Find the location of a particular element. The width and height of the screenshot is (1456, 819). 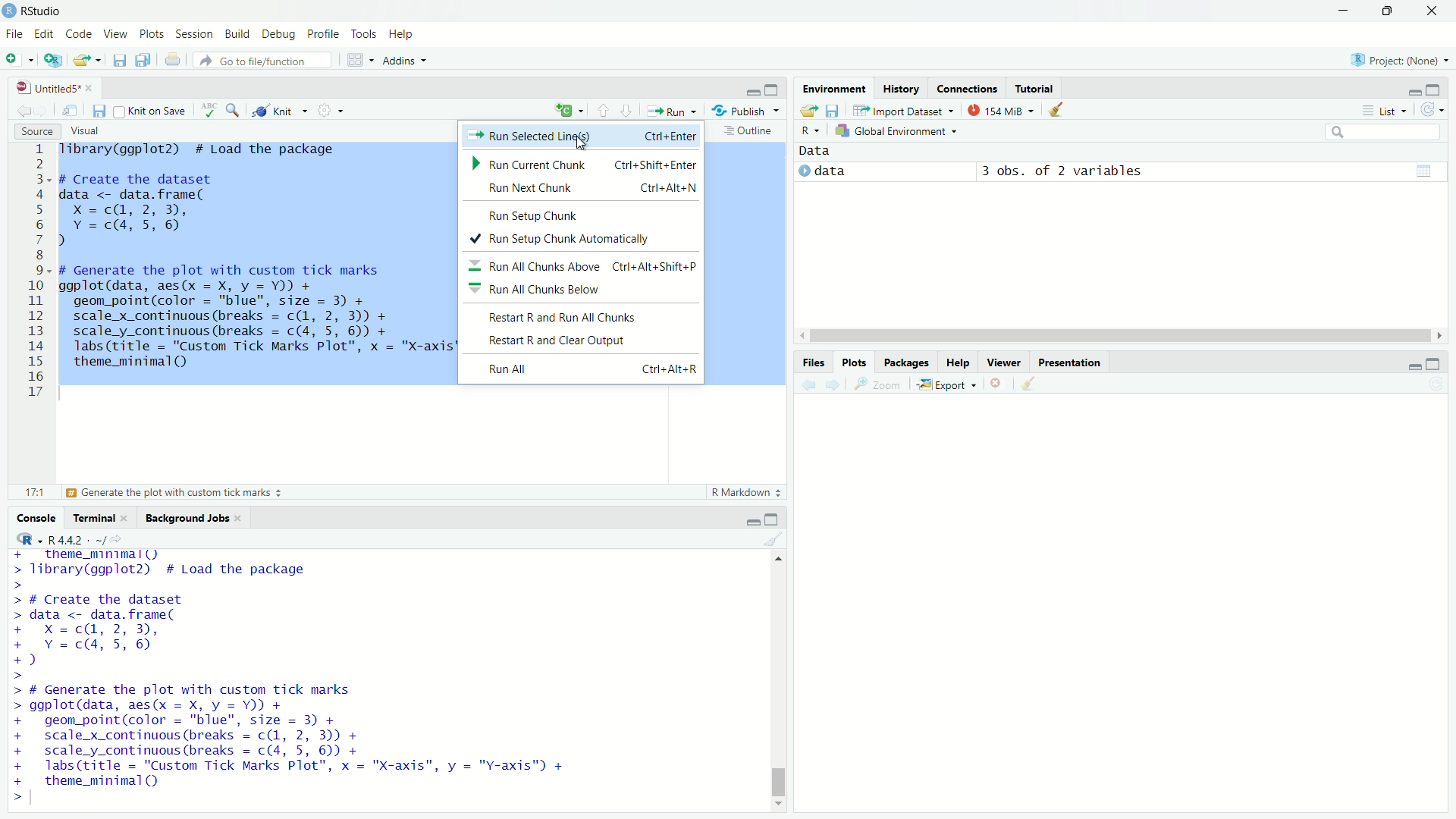

import dataset is located at coordinates (905, 109).